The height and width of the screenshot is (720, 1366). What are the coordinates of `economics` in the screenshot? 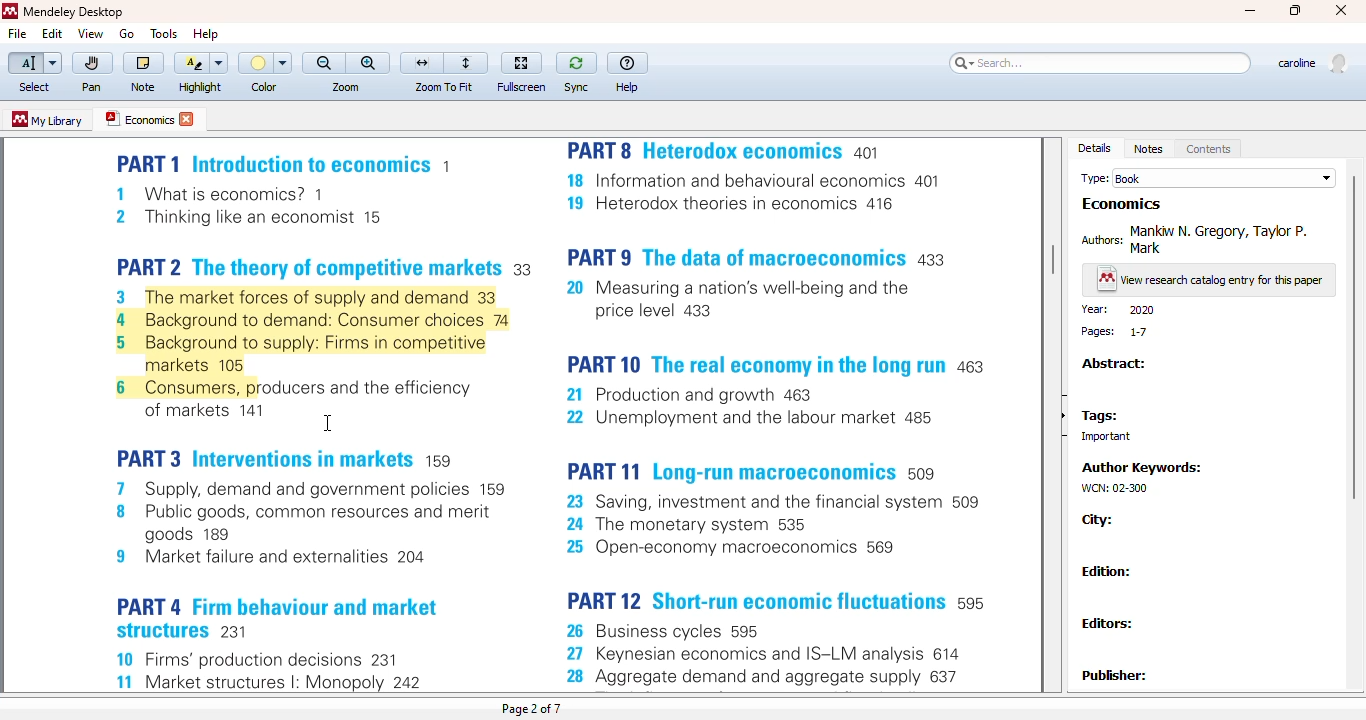 It's located at (138, 118).